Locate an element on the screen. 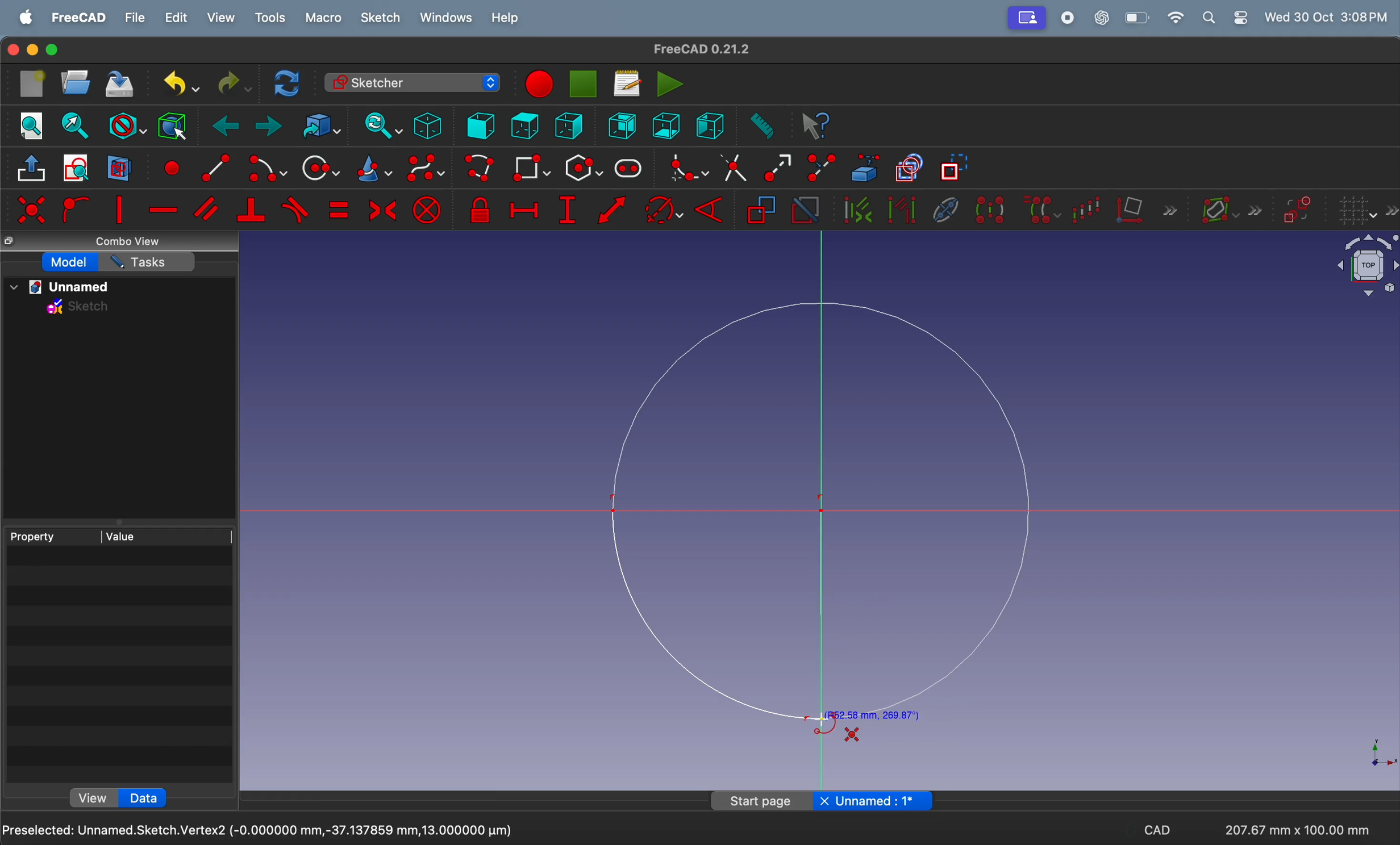  bottom view is located at coordinates (668, 124).